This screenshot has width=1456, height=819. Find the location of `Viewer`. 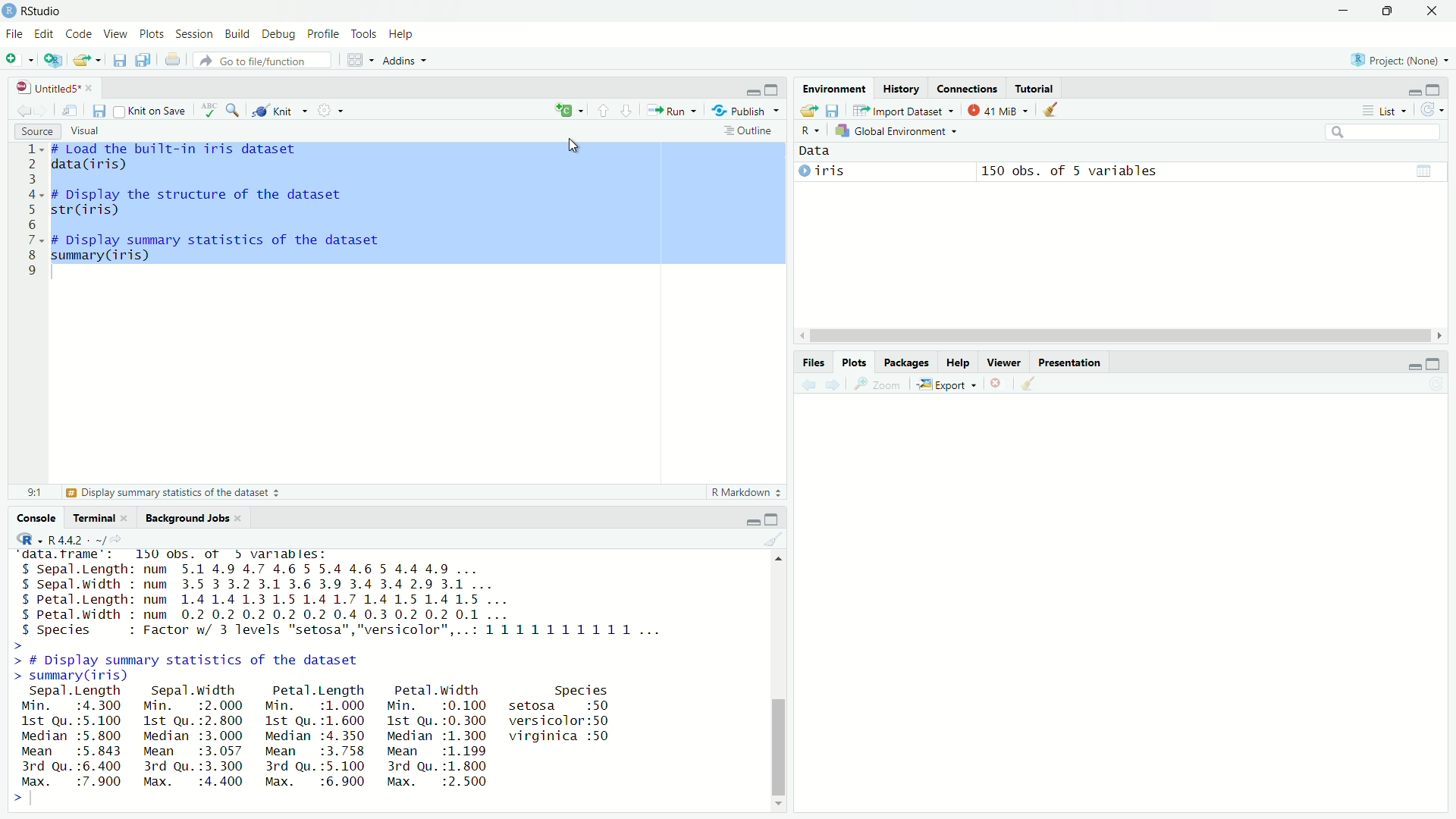

Viewer is located at coordinates (1003, 360).